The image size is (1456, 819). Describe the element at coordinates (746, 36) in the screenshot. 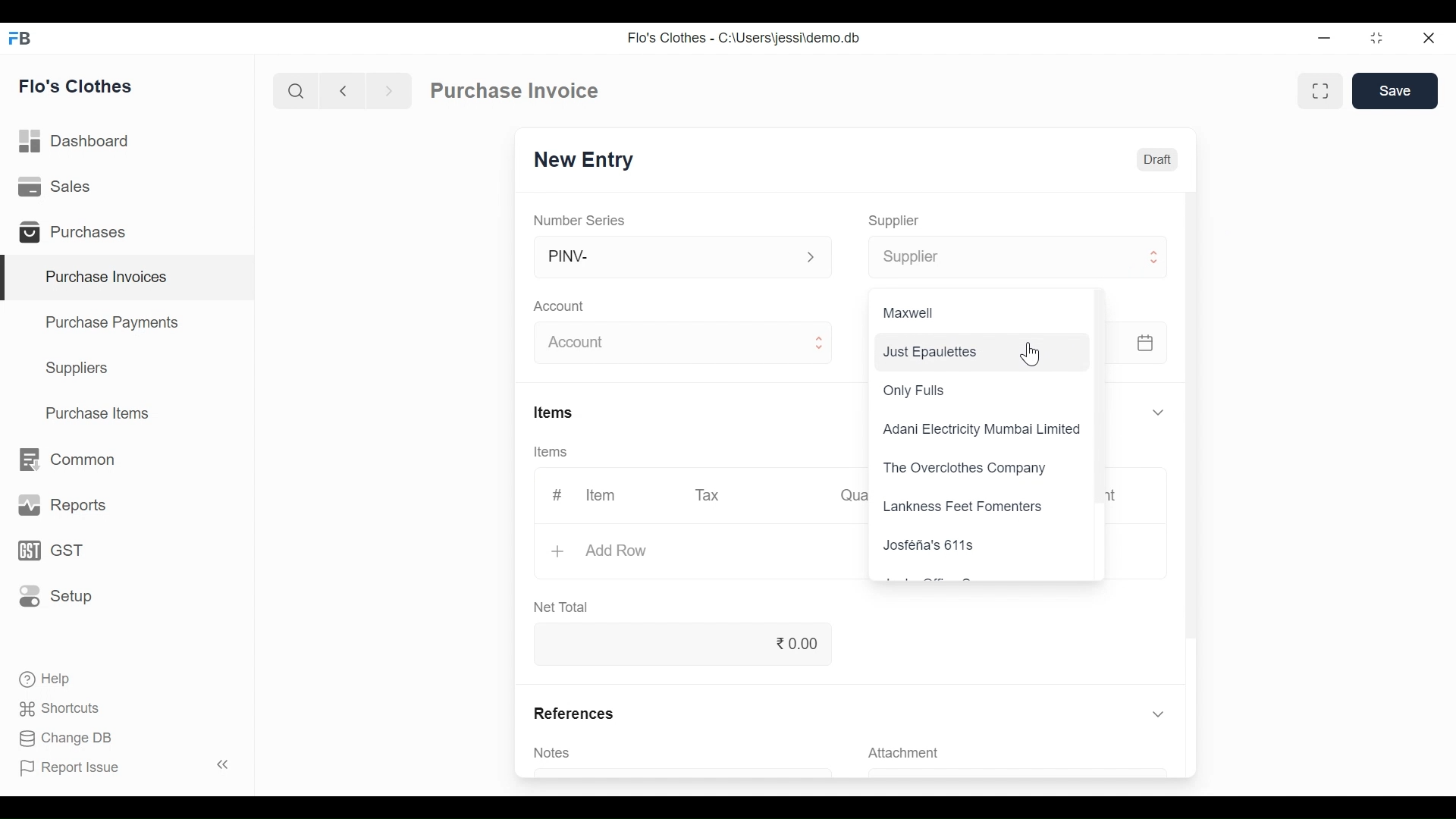

I see `Flo's Clothes - C:\Users\jessi\demo.db` at that location.